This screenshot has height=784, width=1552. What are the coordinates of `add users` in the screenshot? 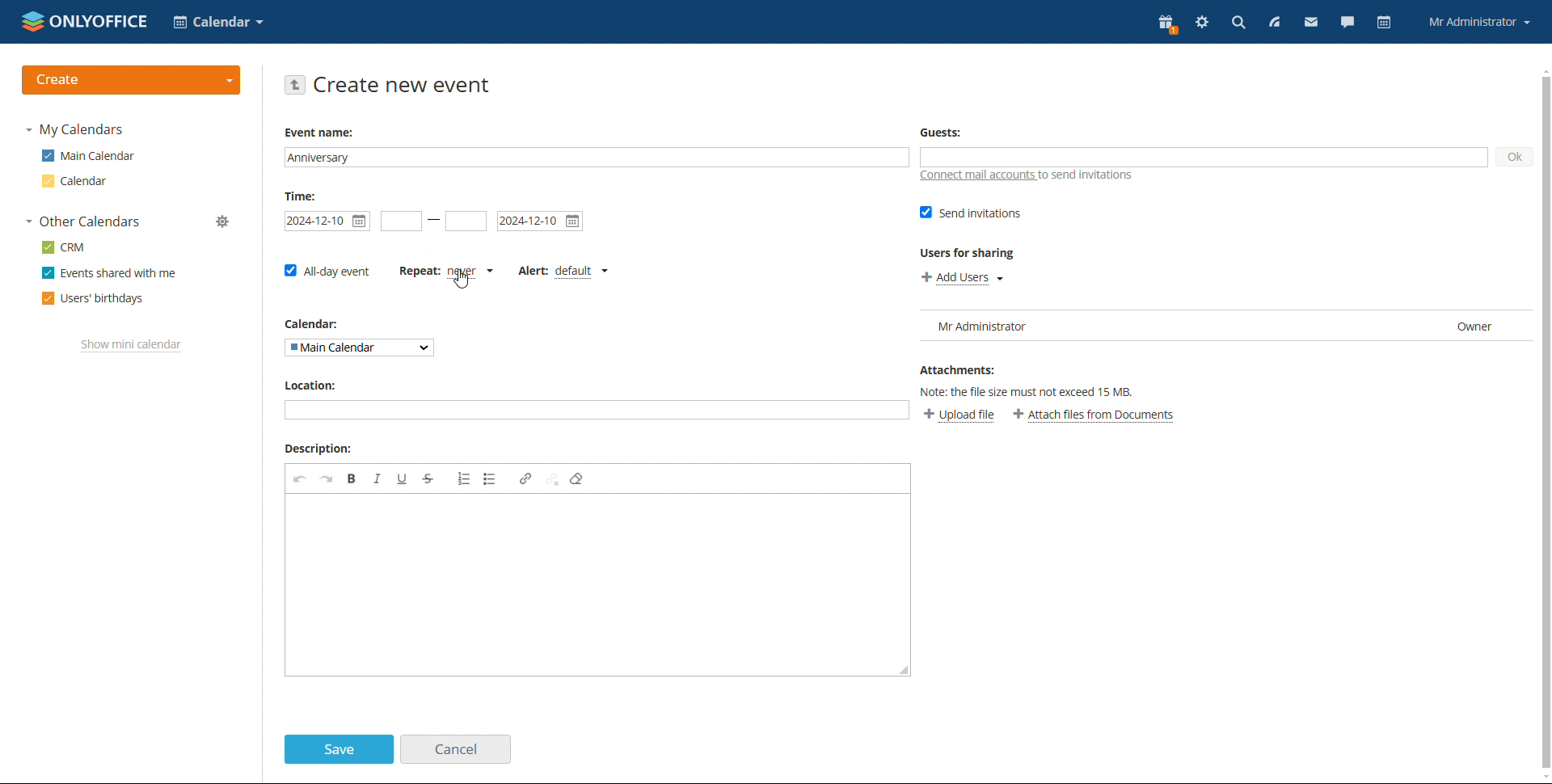 It's located at (963, 277).